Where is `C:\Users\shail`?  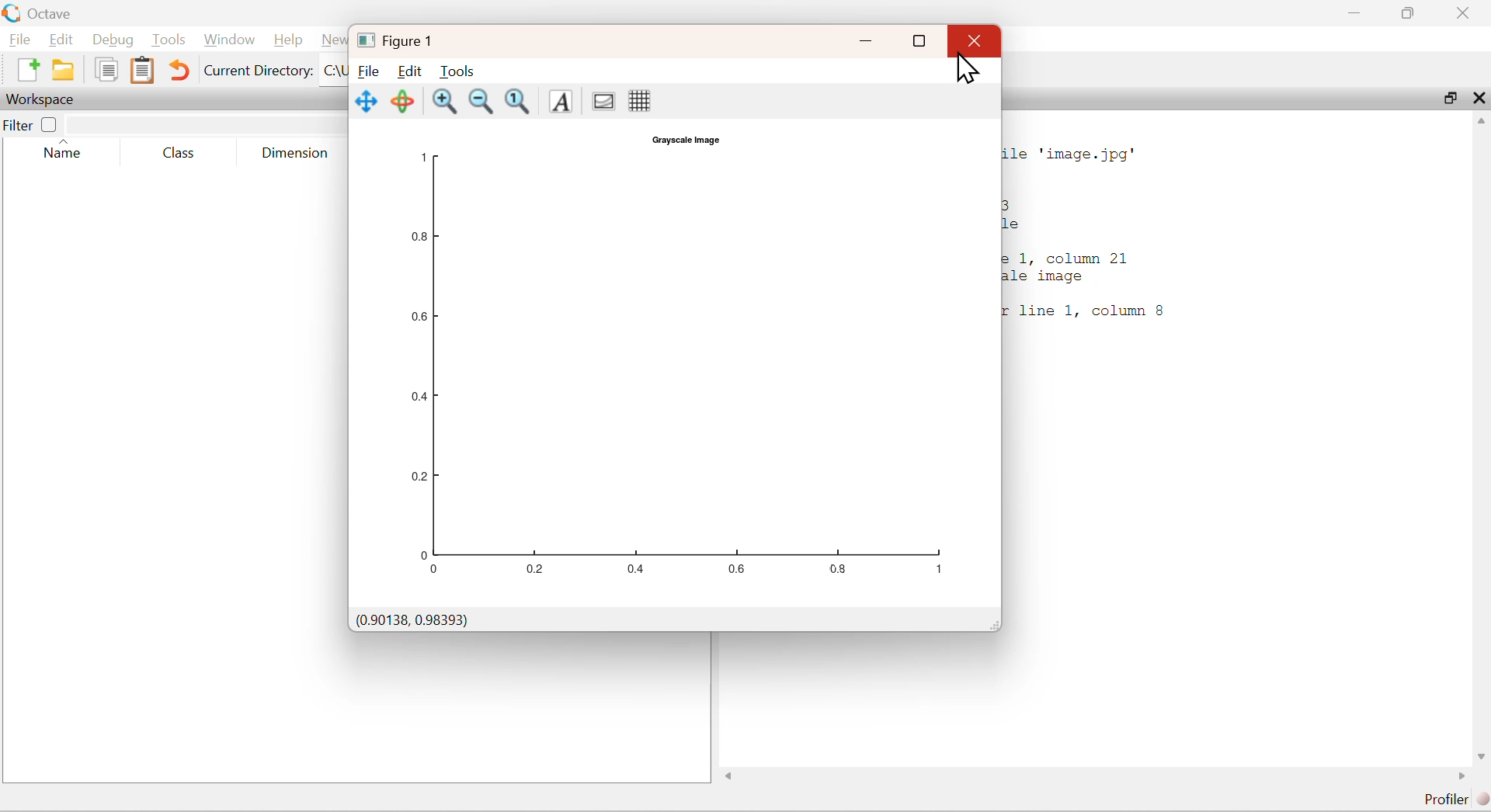
C:\Users\shail is located at coordinates (332, 71).